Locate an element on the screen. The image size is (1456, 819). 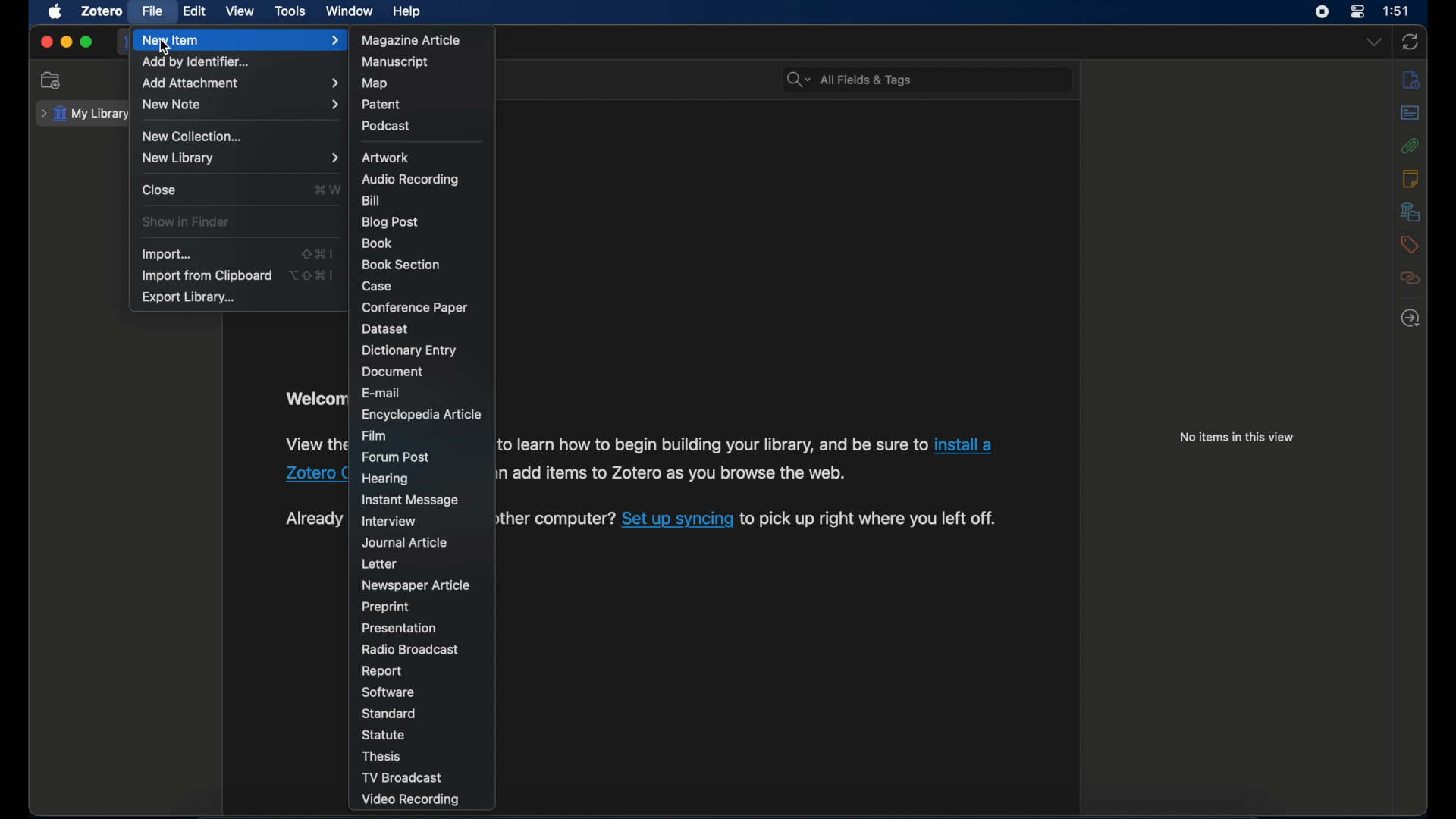
book is located at coordinates (378, 243).